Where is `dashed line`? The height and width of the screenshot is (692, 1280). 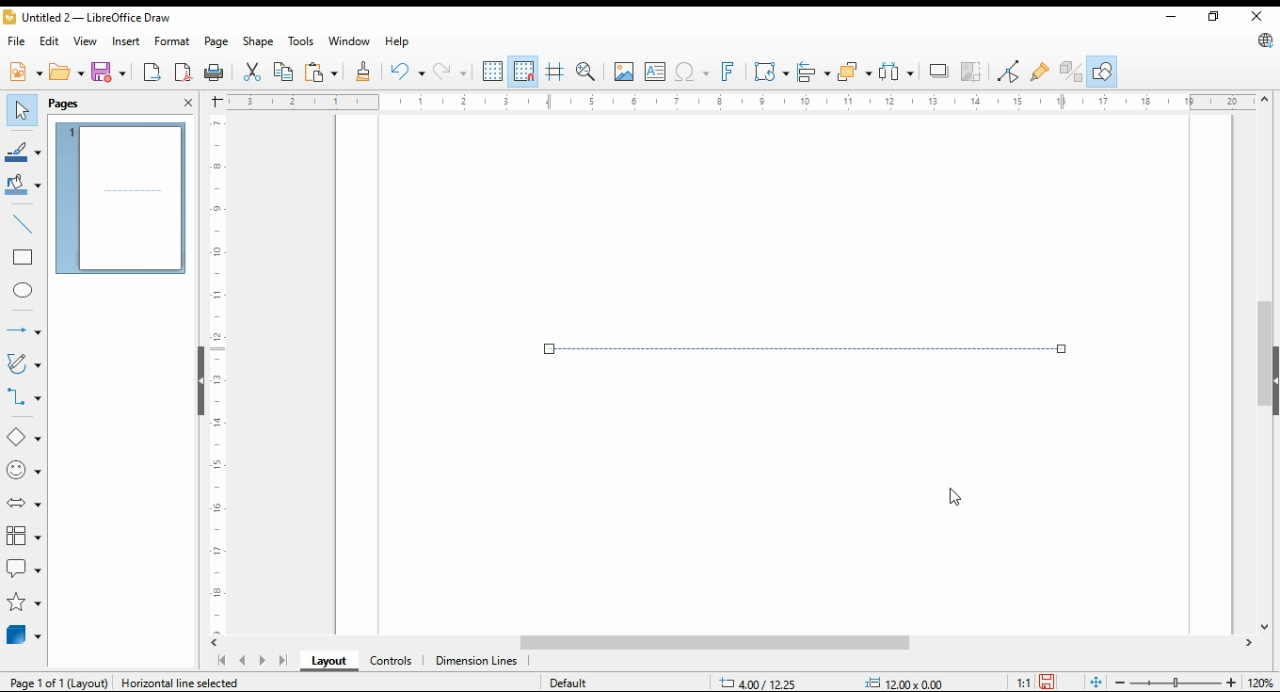 dashed line is located at coordinates (814, 349).